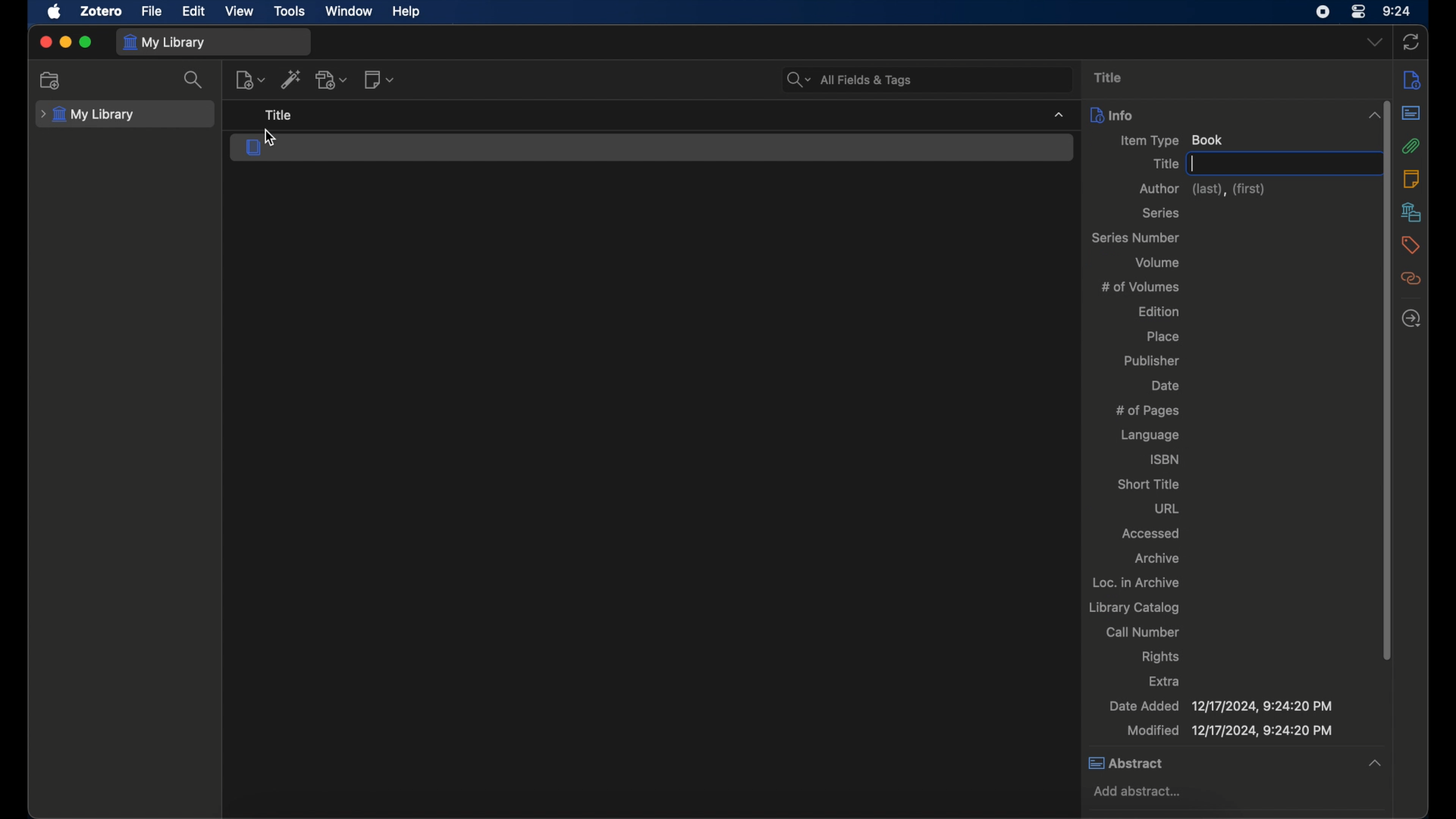 This screenshot has width=1456, height=819. Describe the element at coordinates (250, 81) in the screenshot. I see `new item` at that location.